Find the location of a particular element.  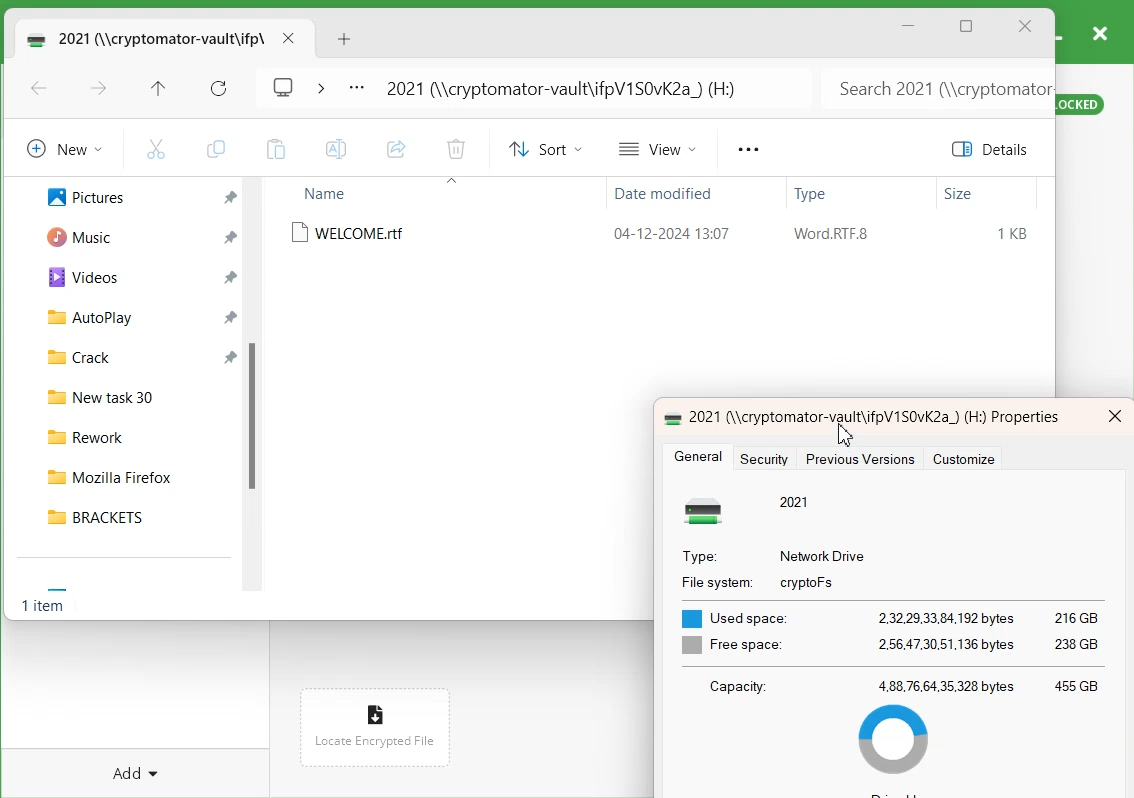

BRACKETS is located at coordinates (131, 516).